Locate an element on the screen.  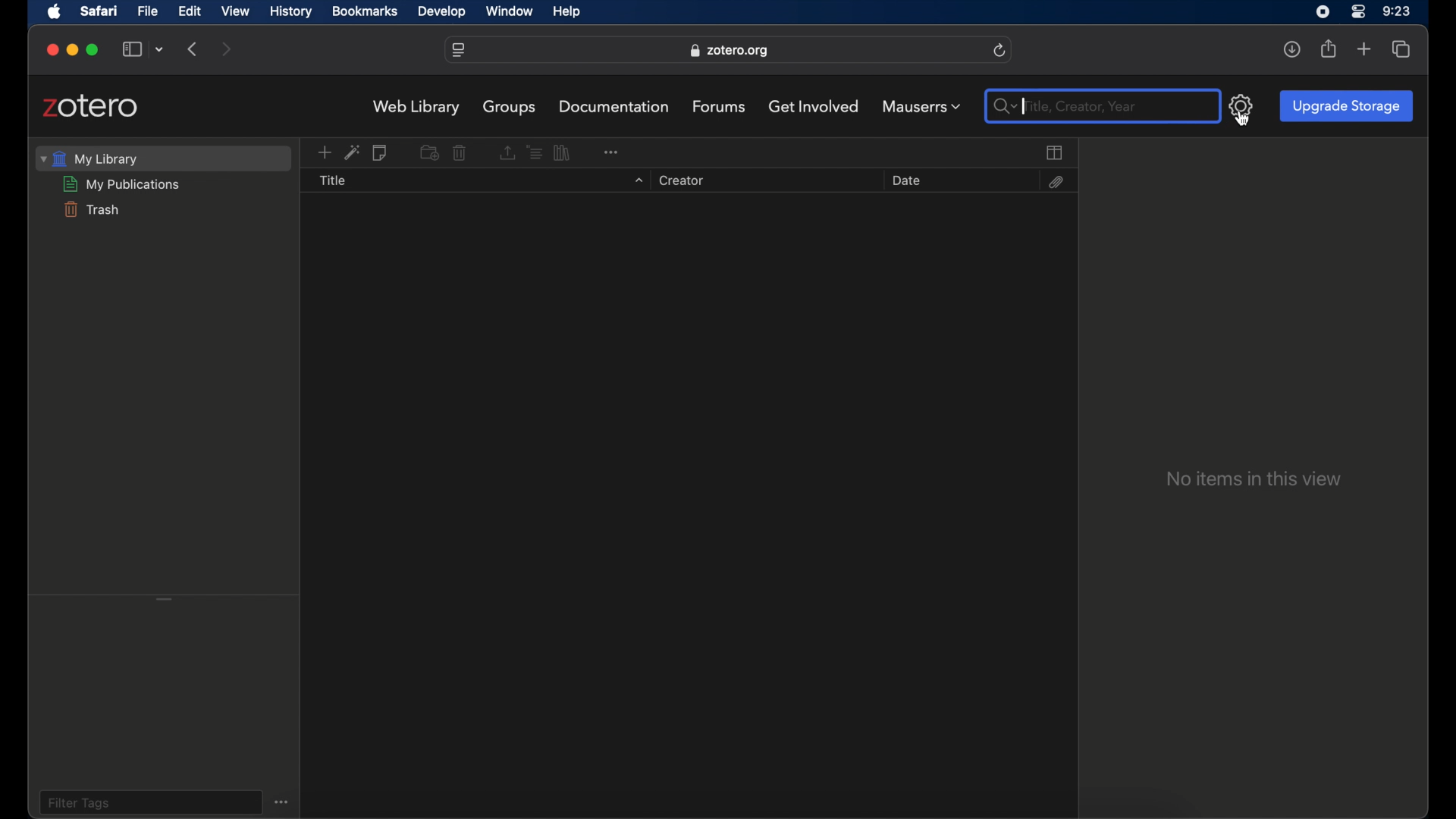
drag handle is located at coordinates (165, 598).